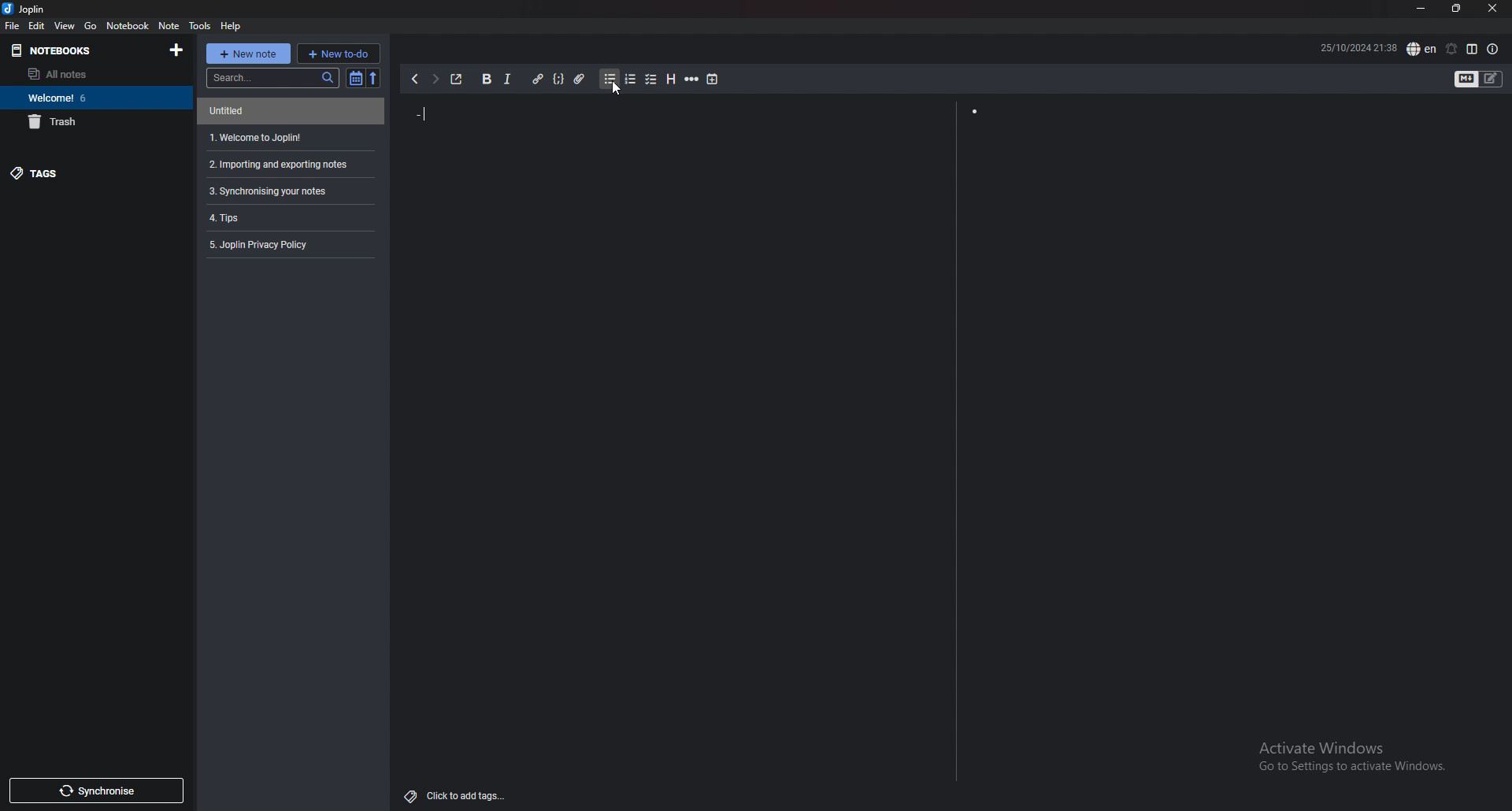 The height and width of the screenshot is (811, 1512). What do you see at coordinates (63, 24) in the screenshot?
I see `View` at bounding box center [63, 24].